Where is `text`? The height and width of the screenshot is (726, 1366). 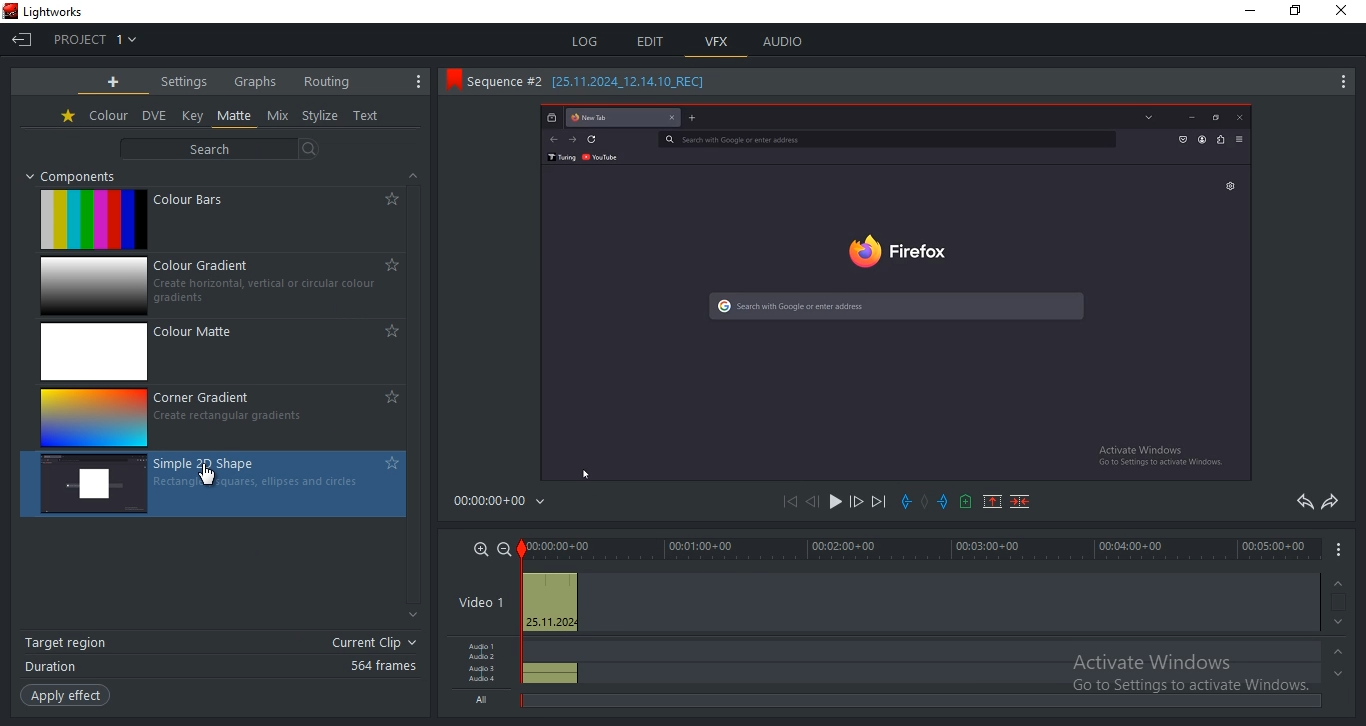
text is located at coordinates (367, 117).